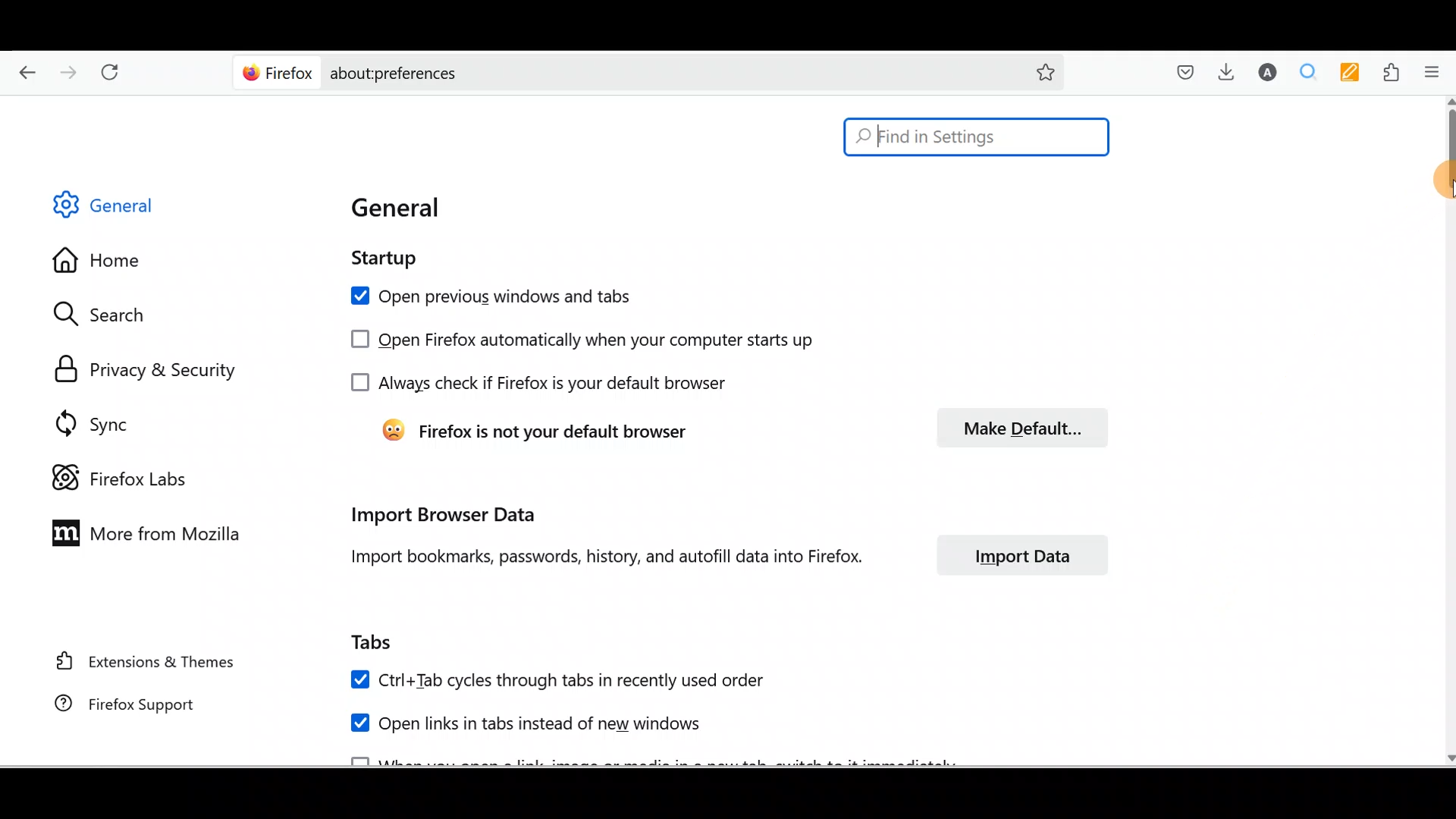  What do you see at coordinates (108, 264) in the screenshot?
I see `Home` at bounding box center [108, 264].